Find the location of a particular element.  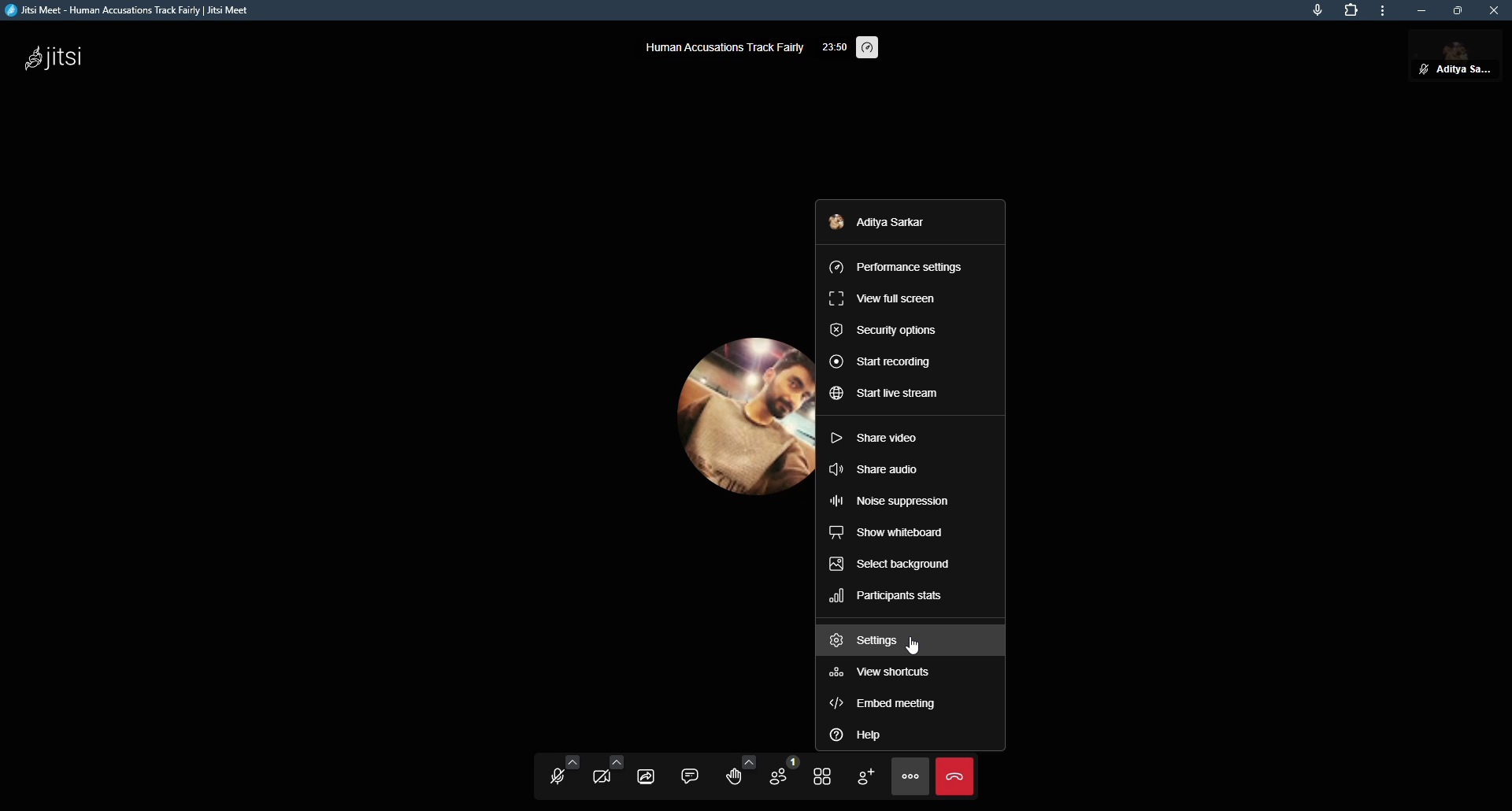

profile is located at coordinates (875, 220).